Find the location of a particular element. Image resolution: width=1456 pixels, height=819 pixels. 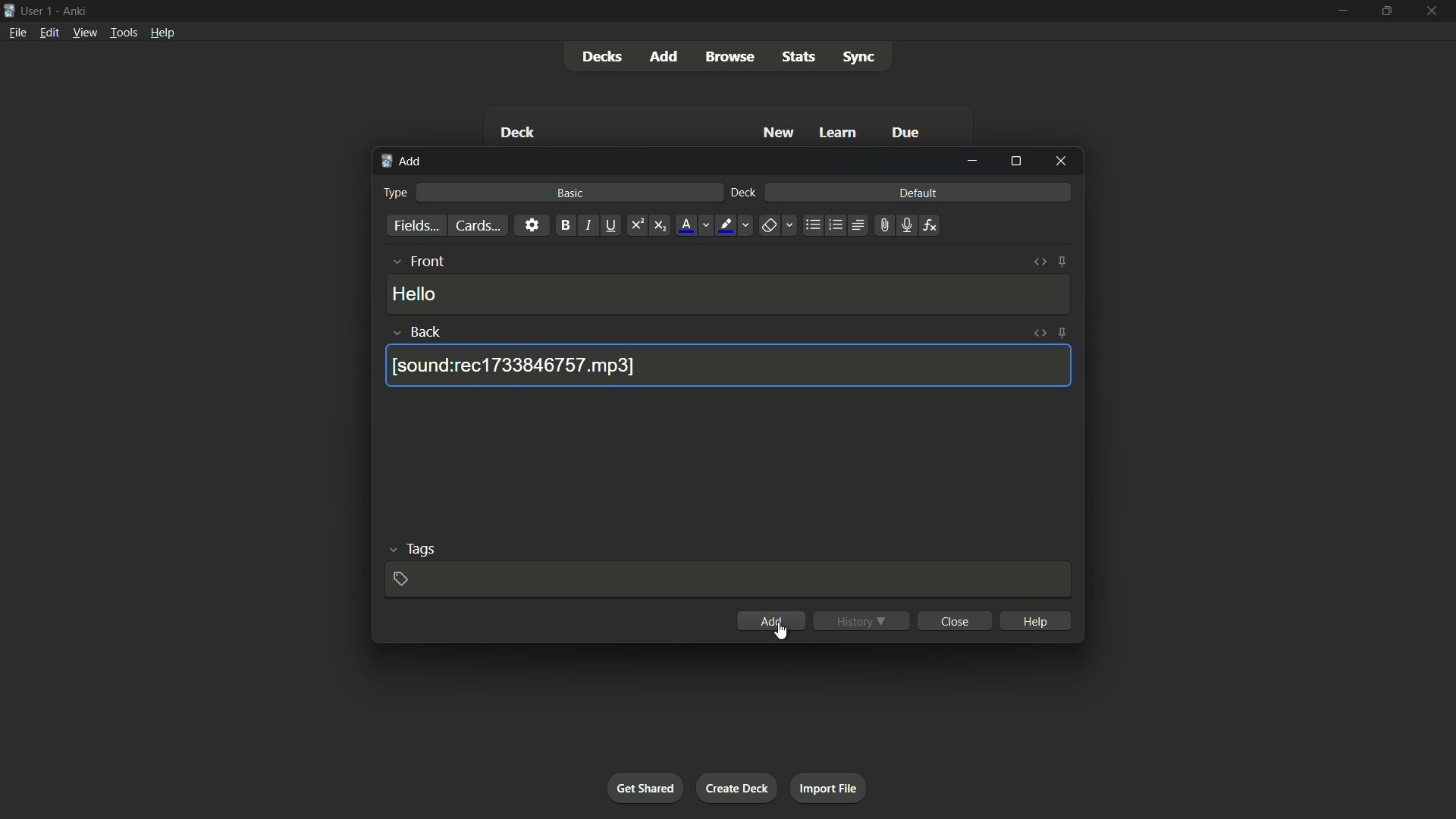

close app is located at coordinates (1436, 12).